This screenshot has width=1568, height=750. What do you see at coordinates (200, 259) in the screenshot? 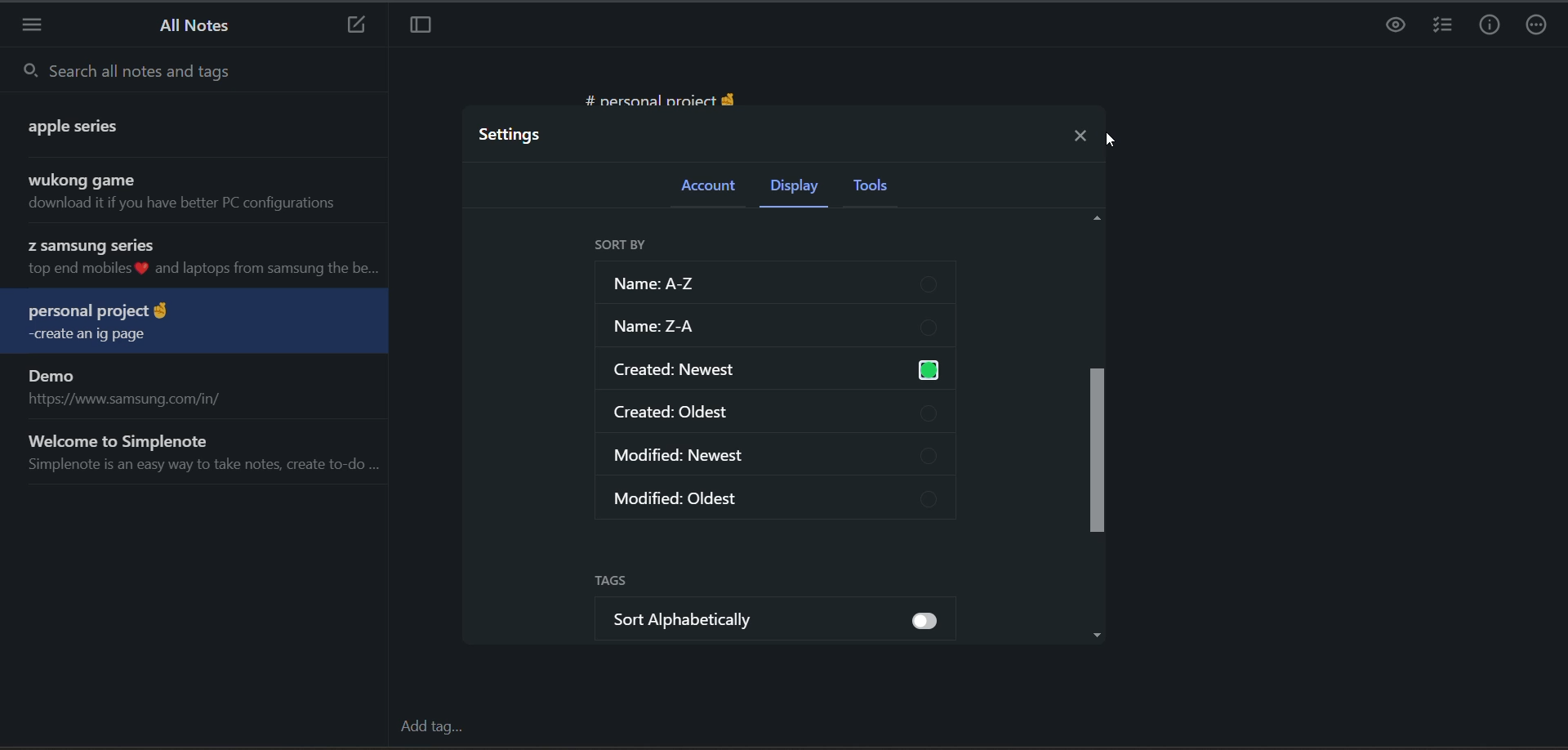
I see `note title and preview sorted in reverse chronological order` at bounding box center [200, 259].